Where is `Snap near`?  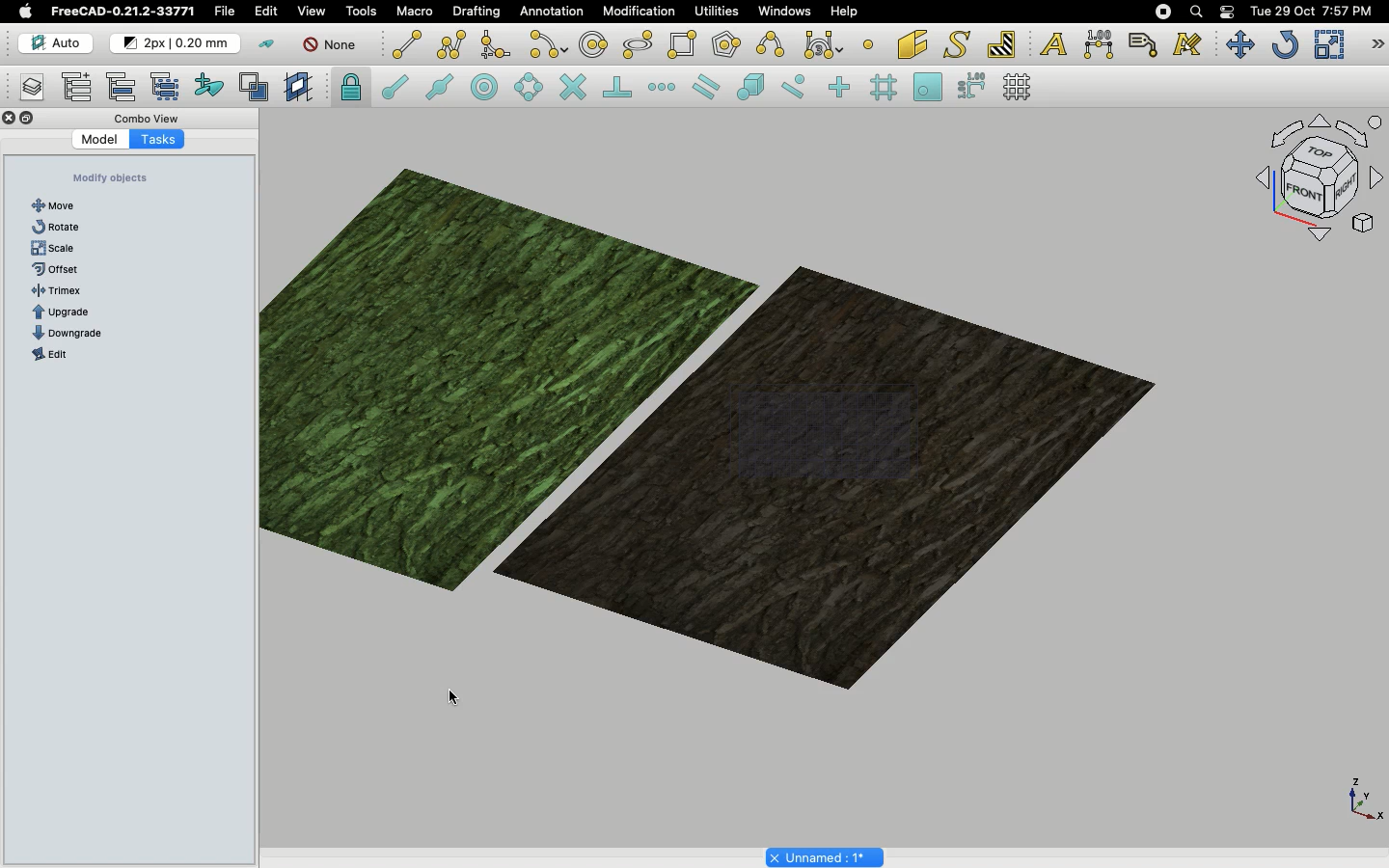 Snap near is located at coordinates (799, 87).